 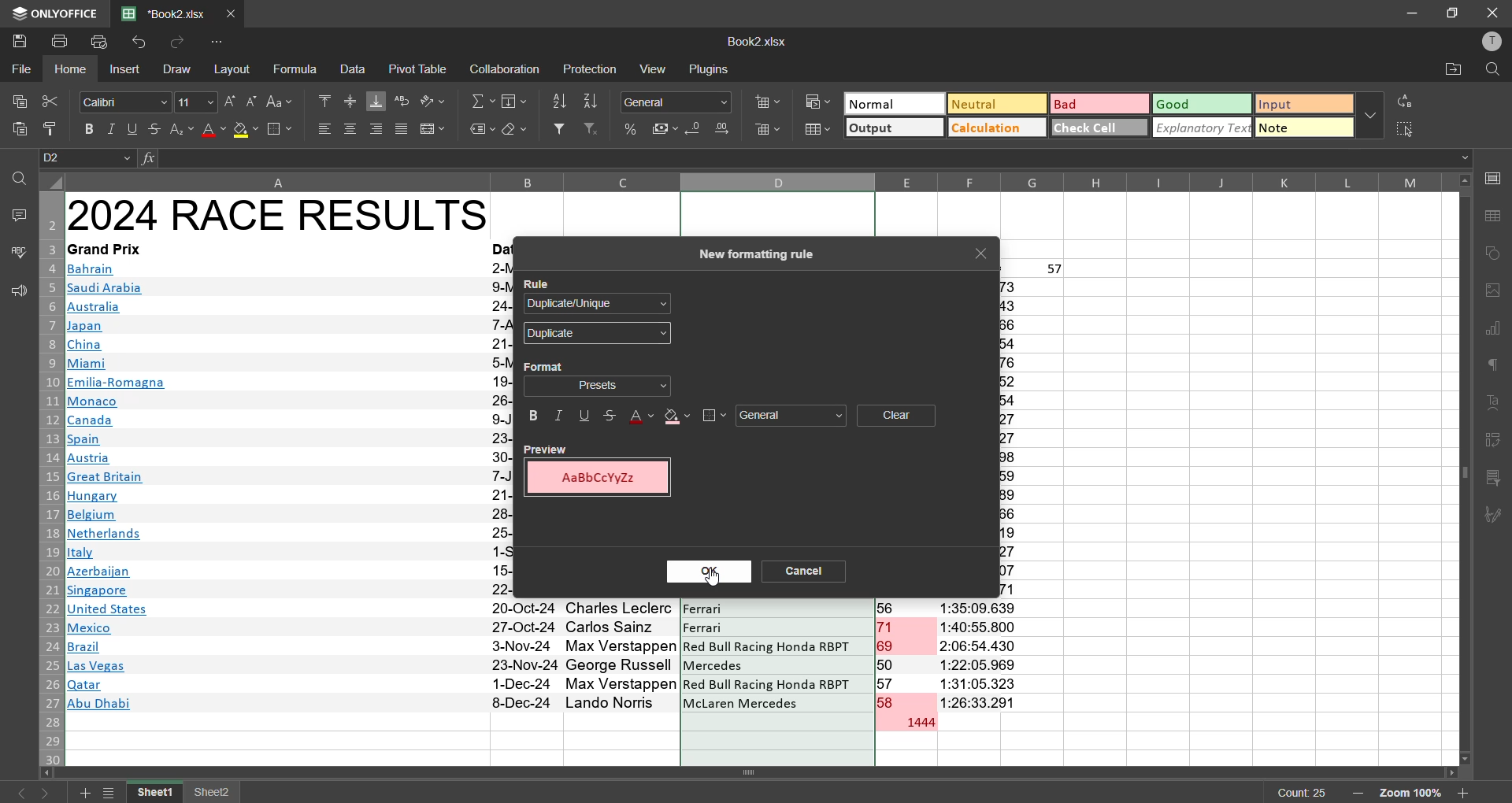 What do you see at coordinates (1092, 107) in the screenshot?
I see `bad` at bounding box center [1092, 107].